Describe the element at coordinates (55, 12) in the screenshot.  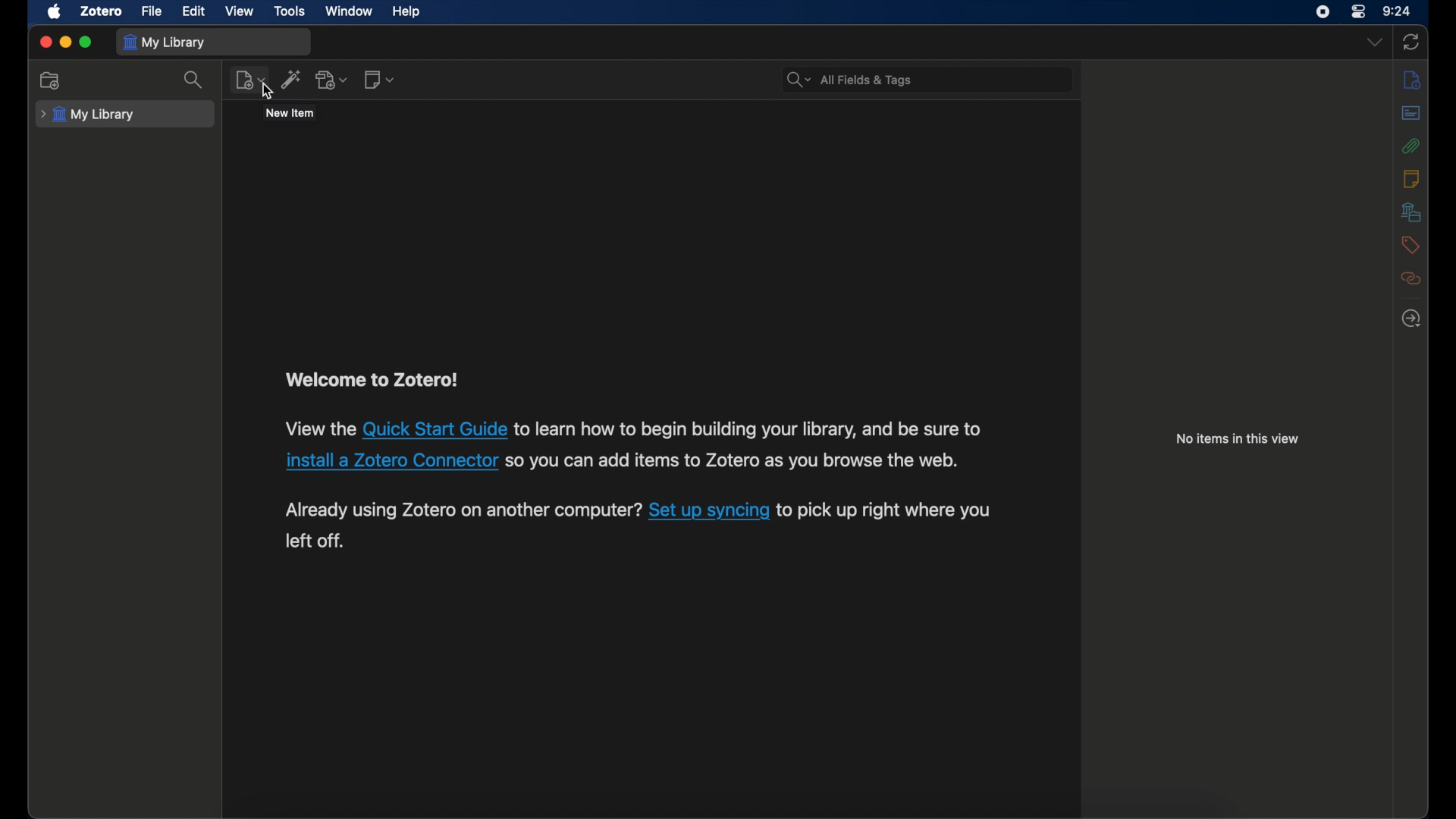
I see `apple icon` at that location.